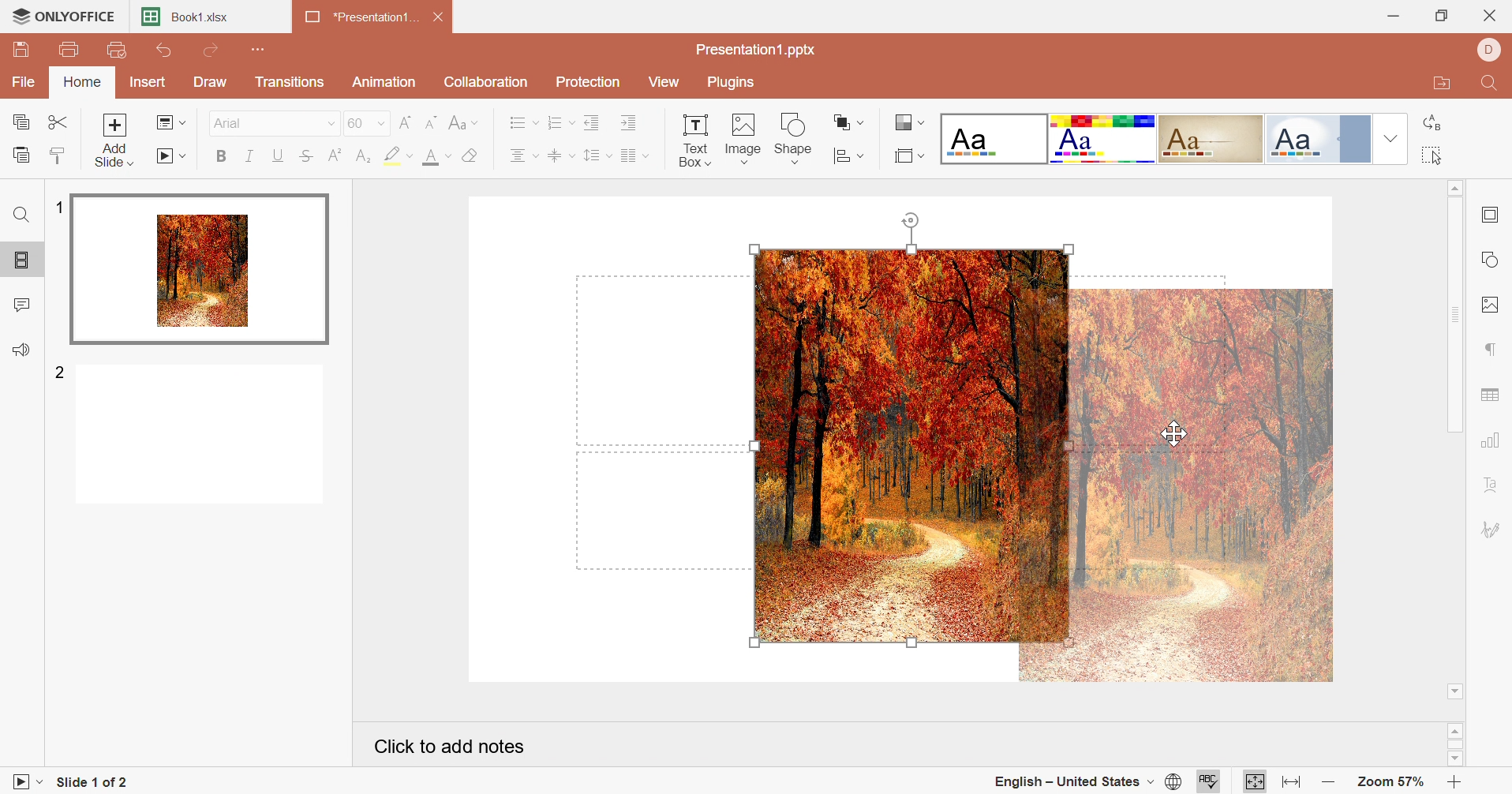 The image size is (1512, 794). I want to click on Quick print, so click(118, 51).